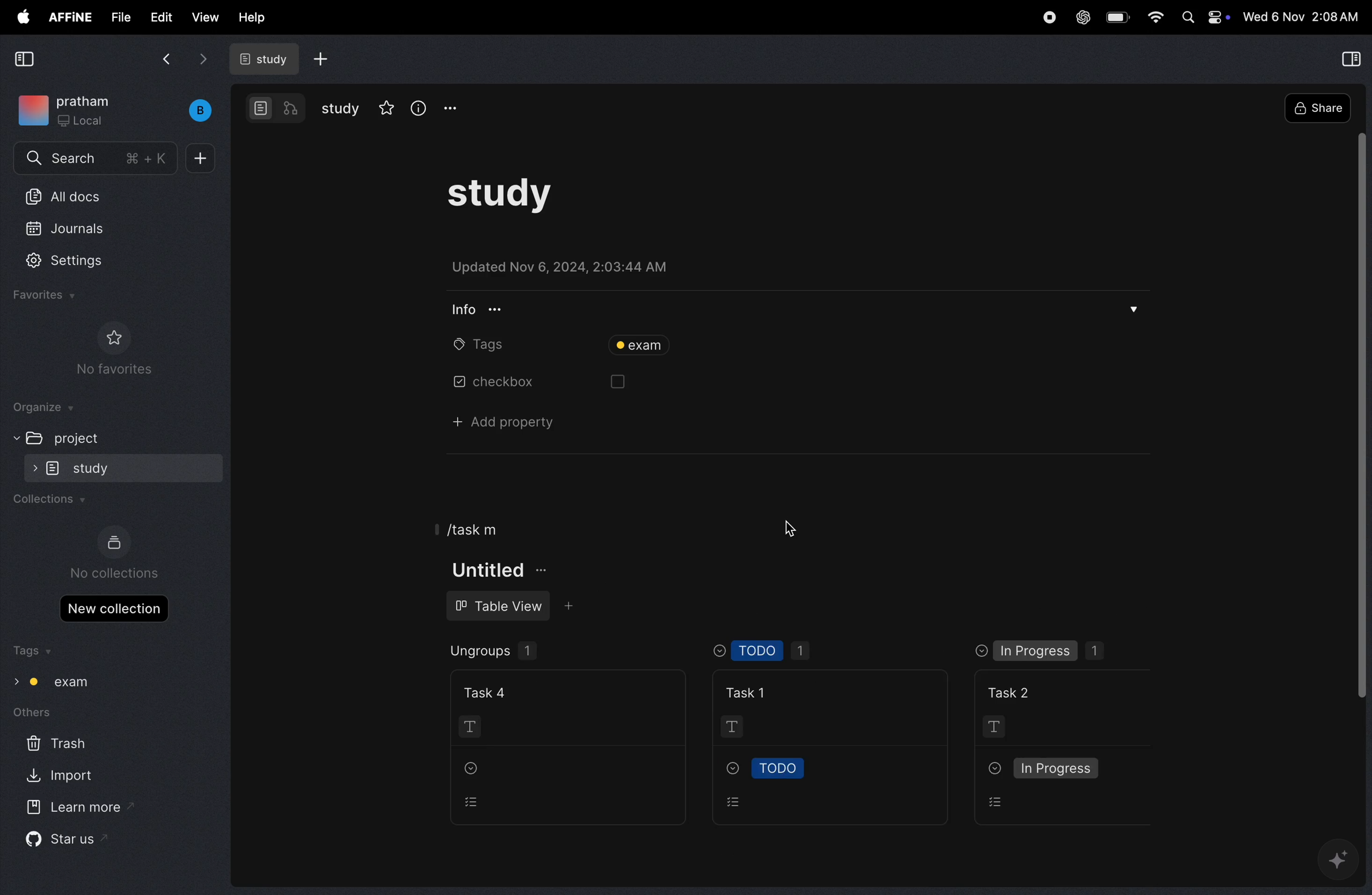  I want to click on tags, so click(469, 345).